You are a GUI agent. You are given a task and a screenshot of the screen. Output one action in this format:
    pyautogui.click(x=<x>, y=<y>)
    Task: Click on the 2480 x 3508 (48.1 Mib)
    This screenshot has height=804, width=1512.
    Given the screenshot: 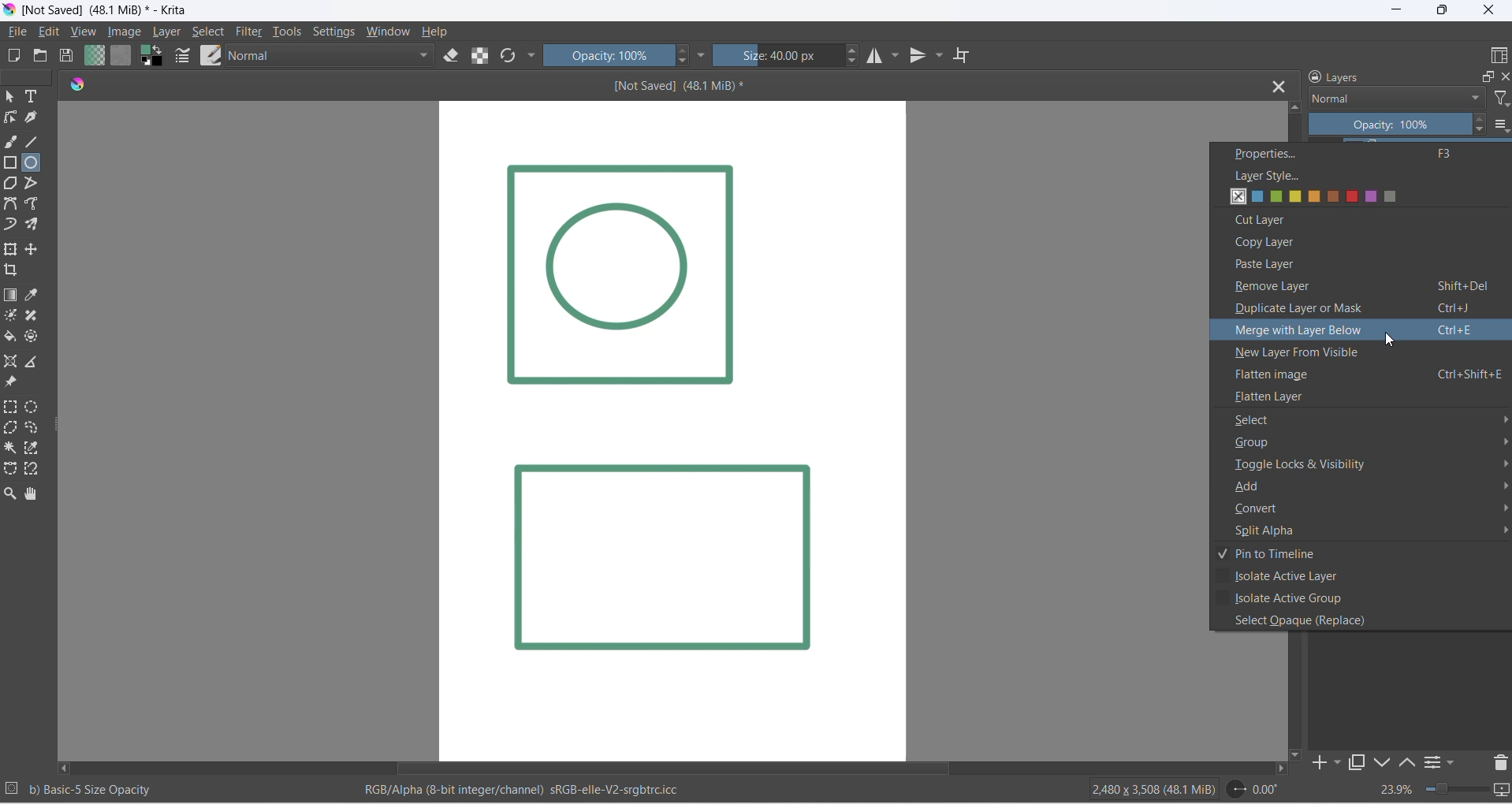 What is the action you would take?
    pyautogui.click(x=1141, y=791)
    